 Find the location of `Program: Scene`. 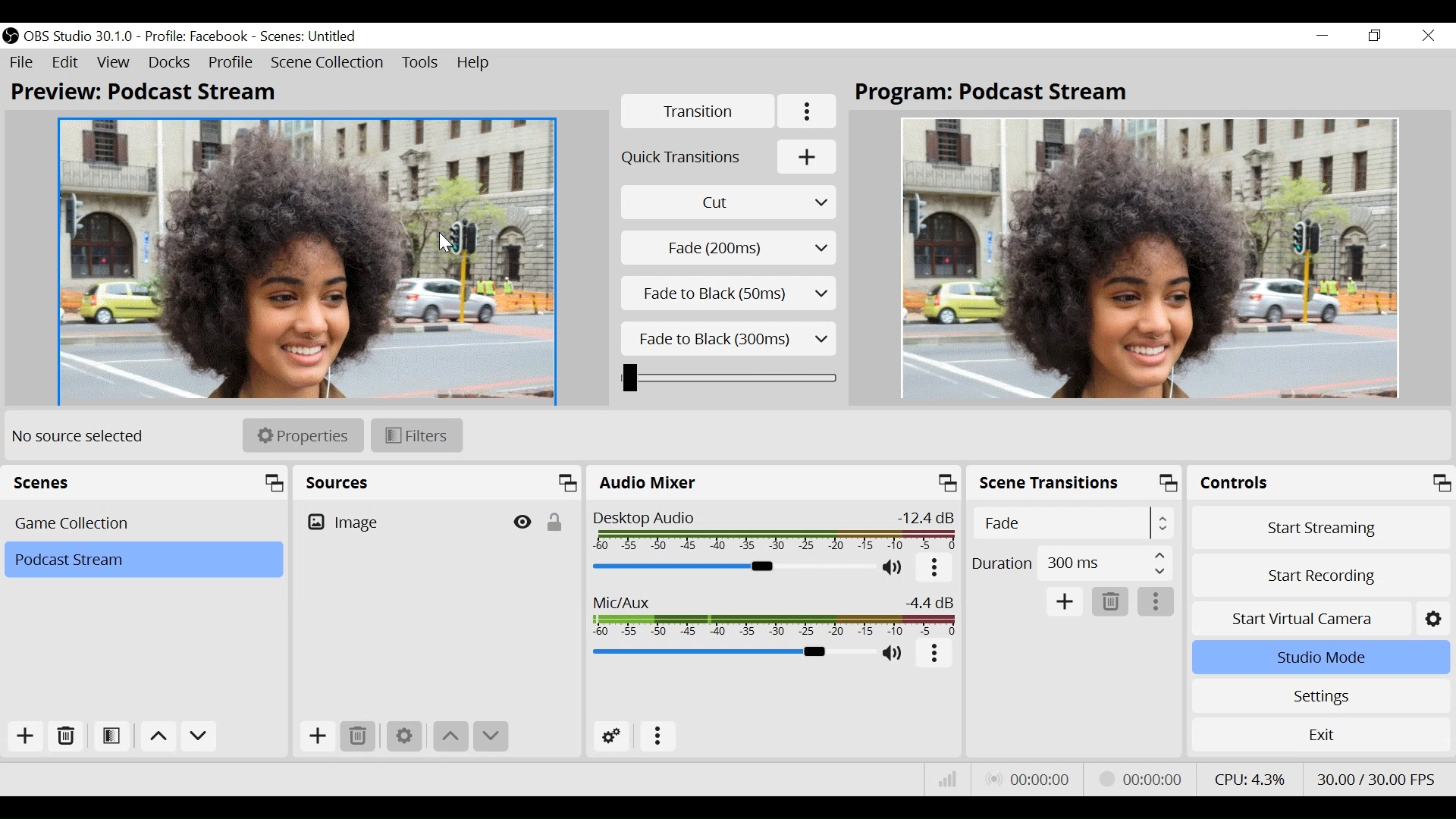

Program: Scene is located at coordinates (999, 94).